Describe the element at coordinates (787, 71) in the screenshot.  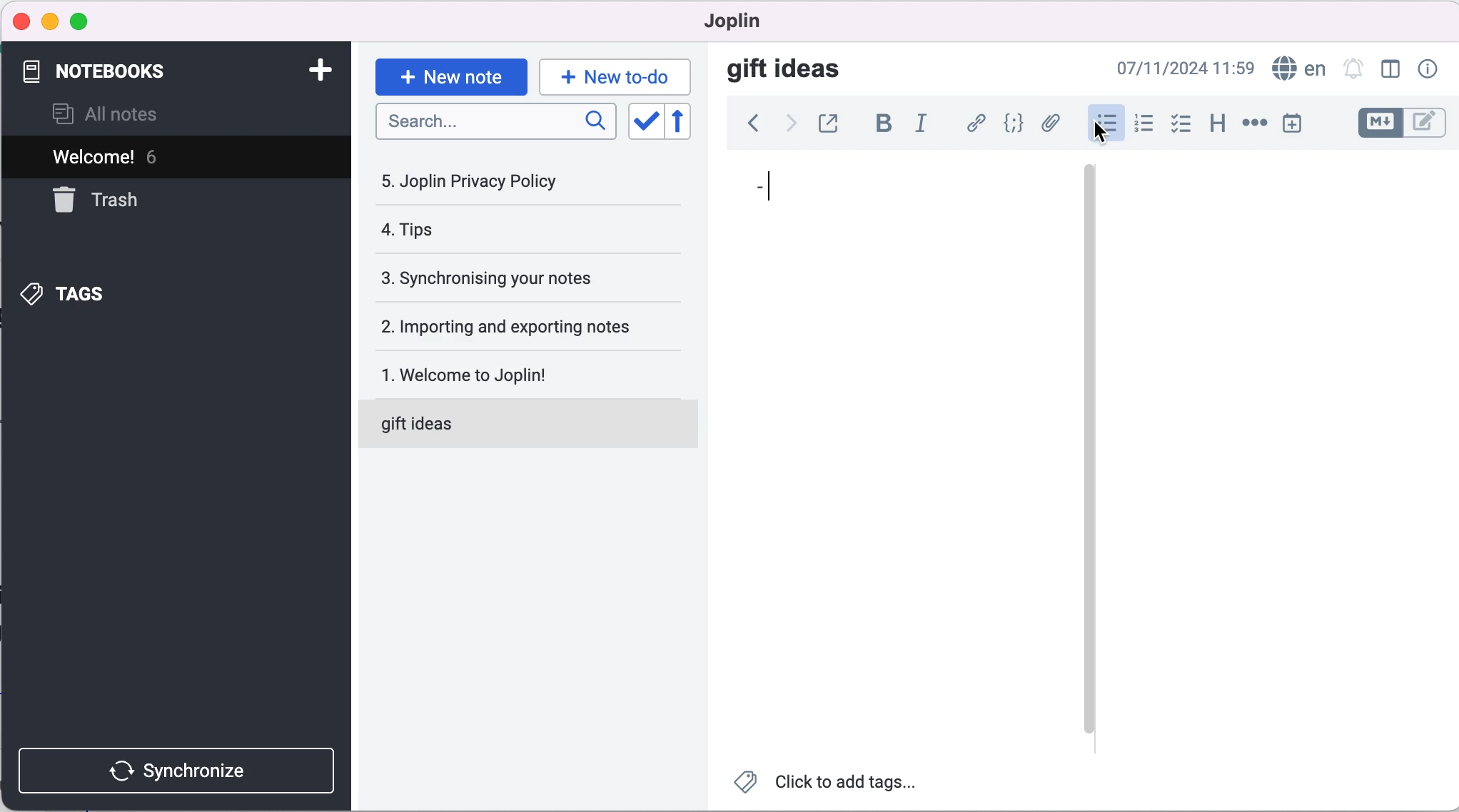
I see `gift ideas` at that location.